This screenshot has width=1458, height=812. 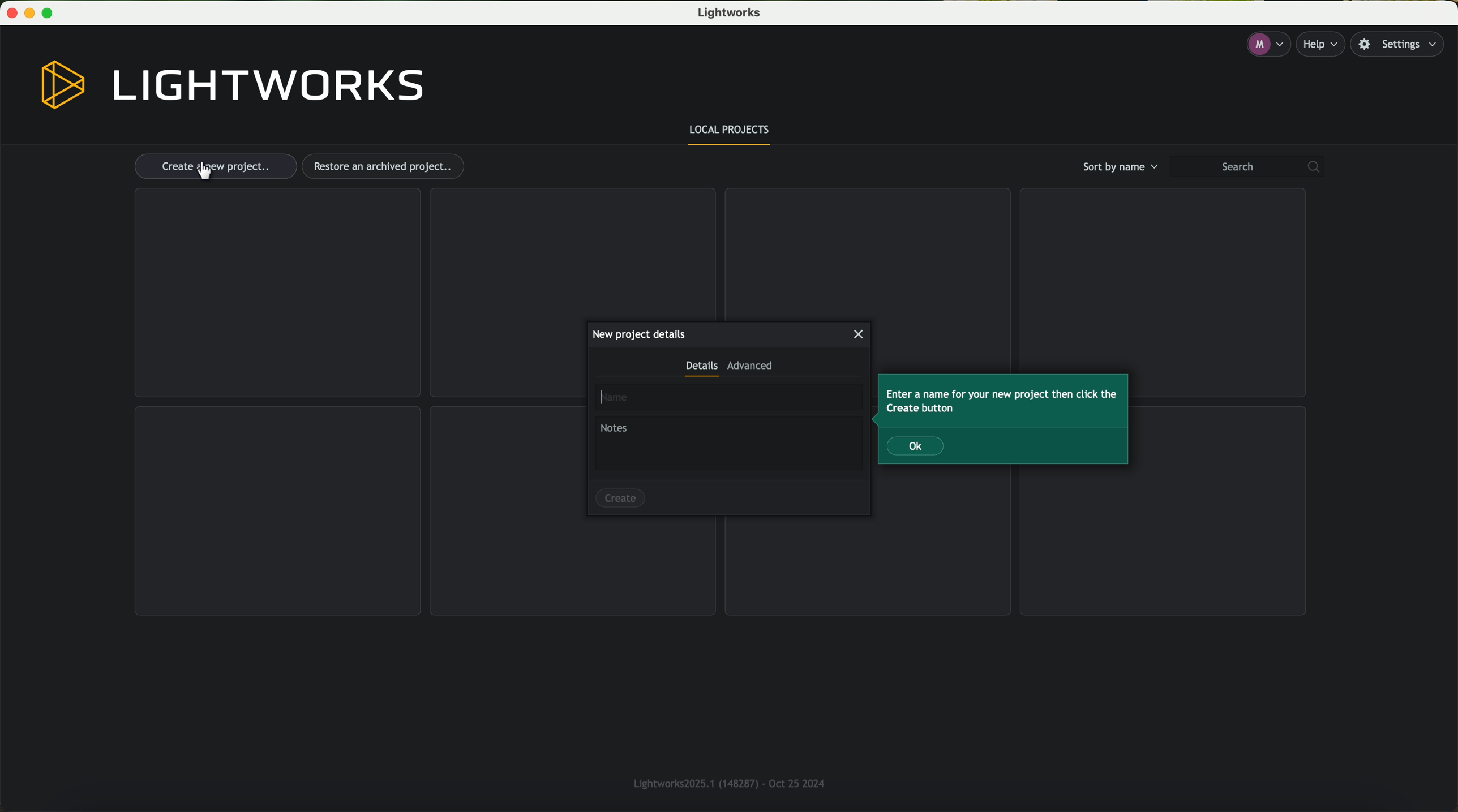 What do you see at coordinates (1252, 167) in the screenshot?
I see `search bar` at bounding box center [1252, 167].